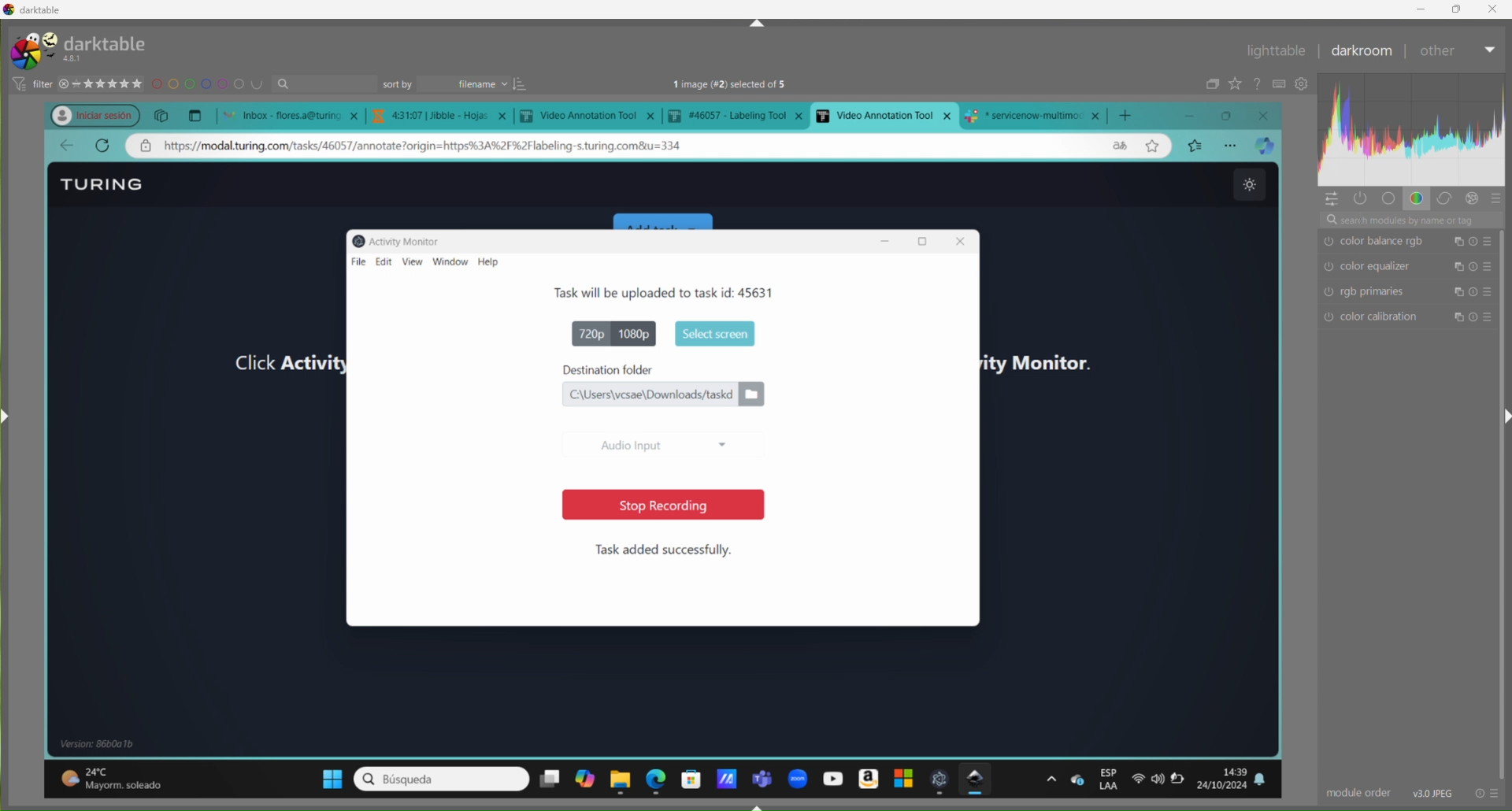 The image size is (1512, 811). What do you see at coordinates (66, 146) in the screenshot?
I see `go back` at bounding box center [66, 146].